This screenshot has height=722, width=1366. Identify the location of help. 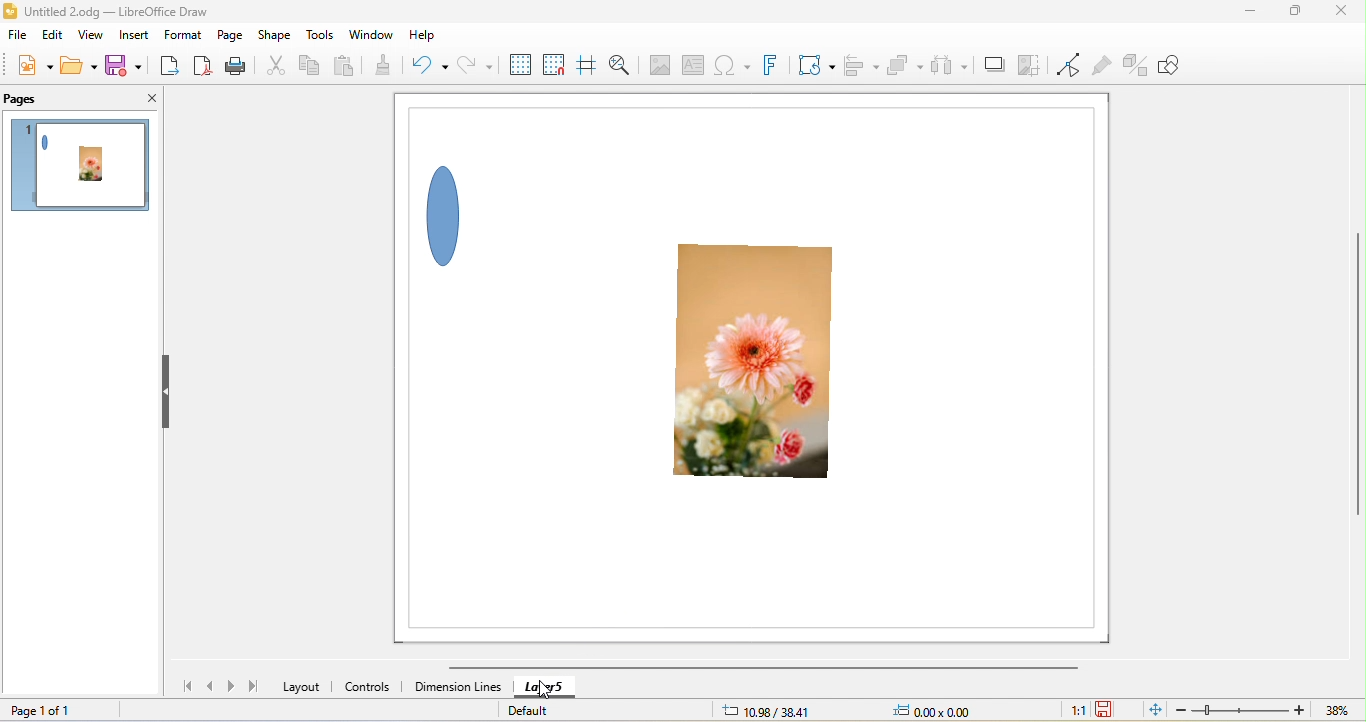
(424, 36).